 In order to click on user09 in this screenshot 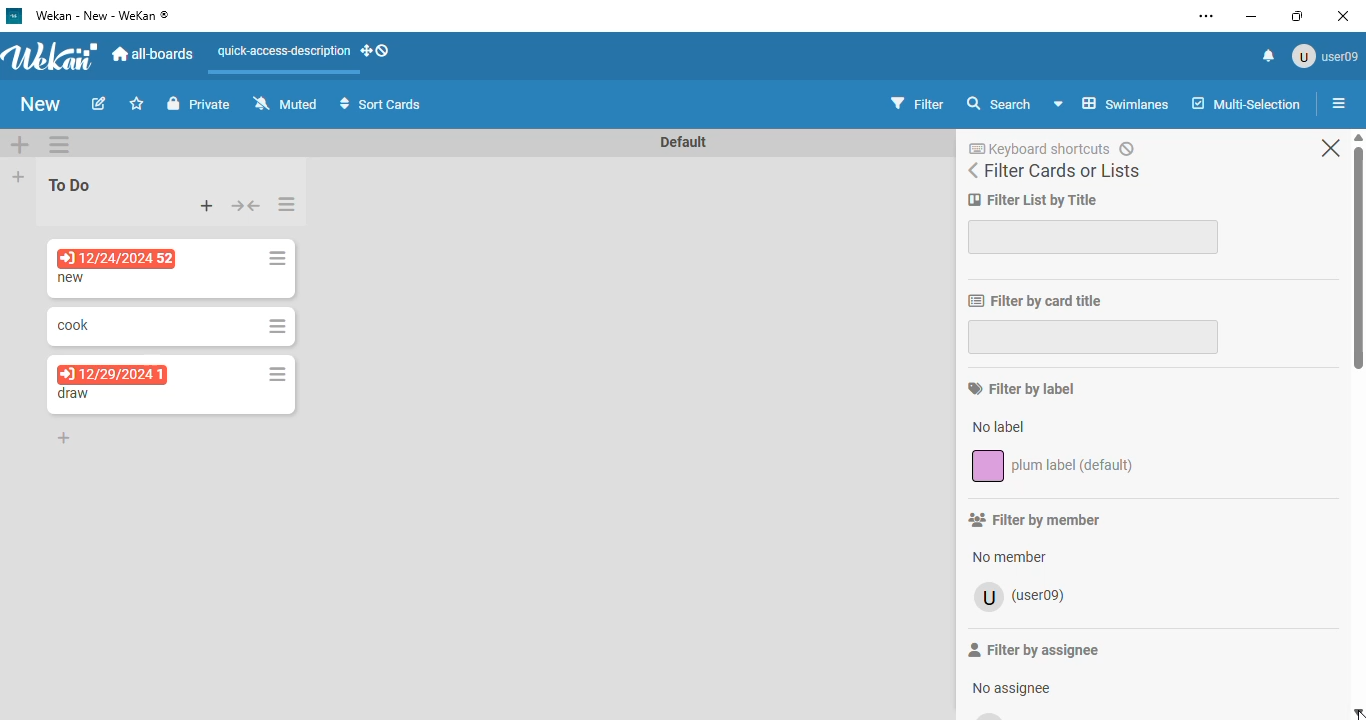, I will do `click(1018, 597)`.